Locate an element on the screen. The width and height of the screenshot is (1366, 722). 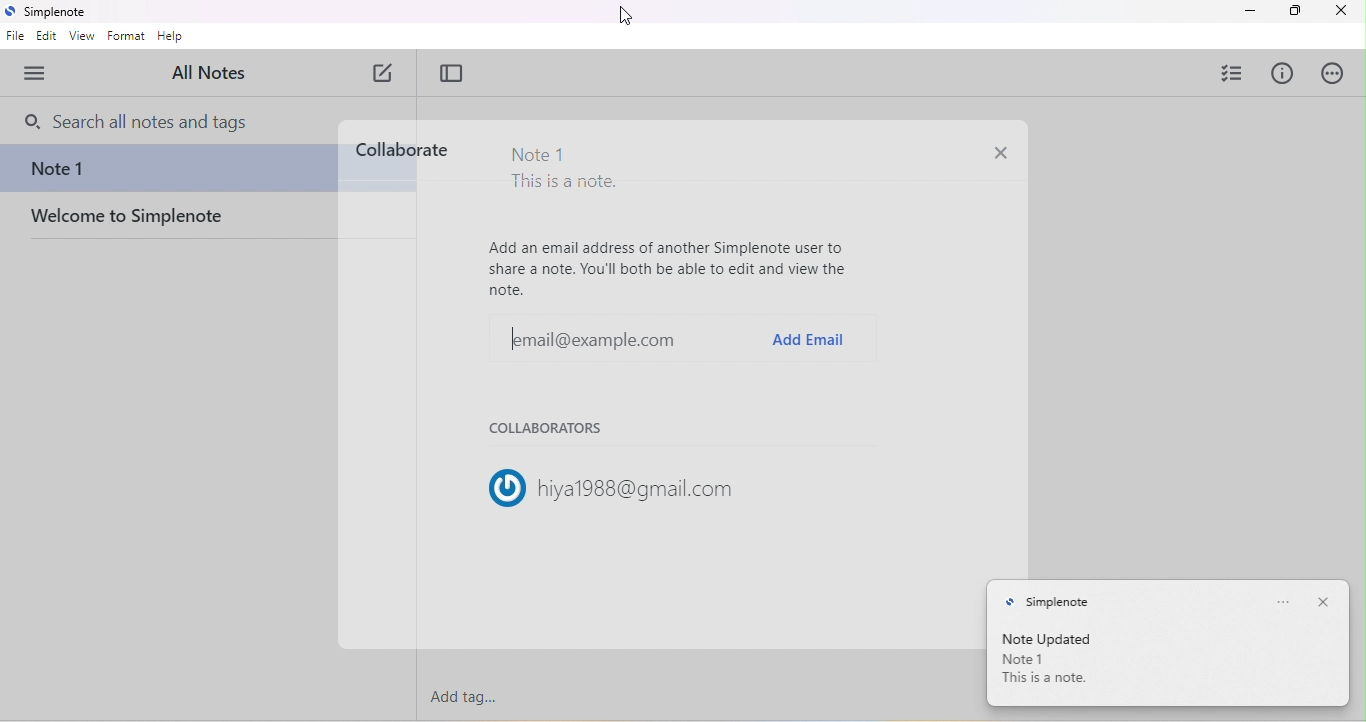
collaborate is located at coordinates (401, 149).